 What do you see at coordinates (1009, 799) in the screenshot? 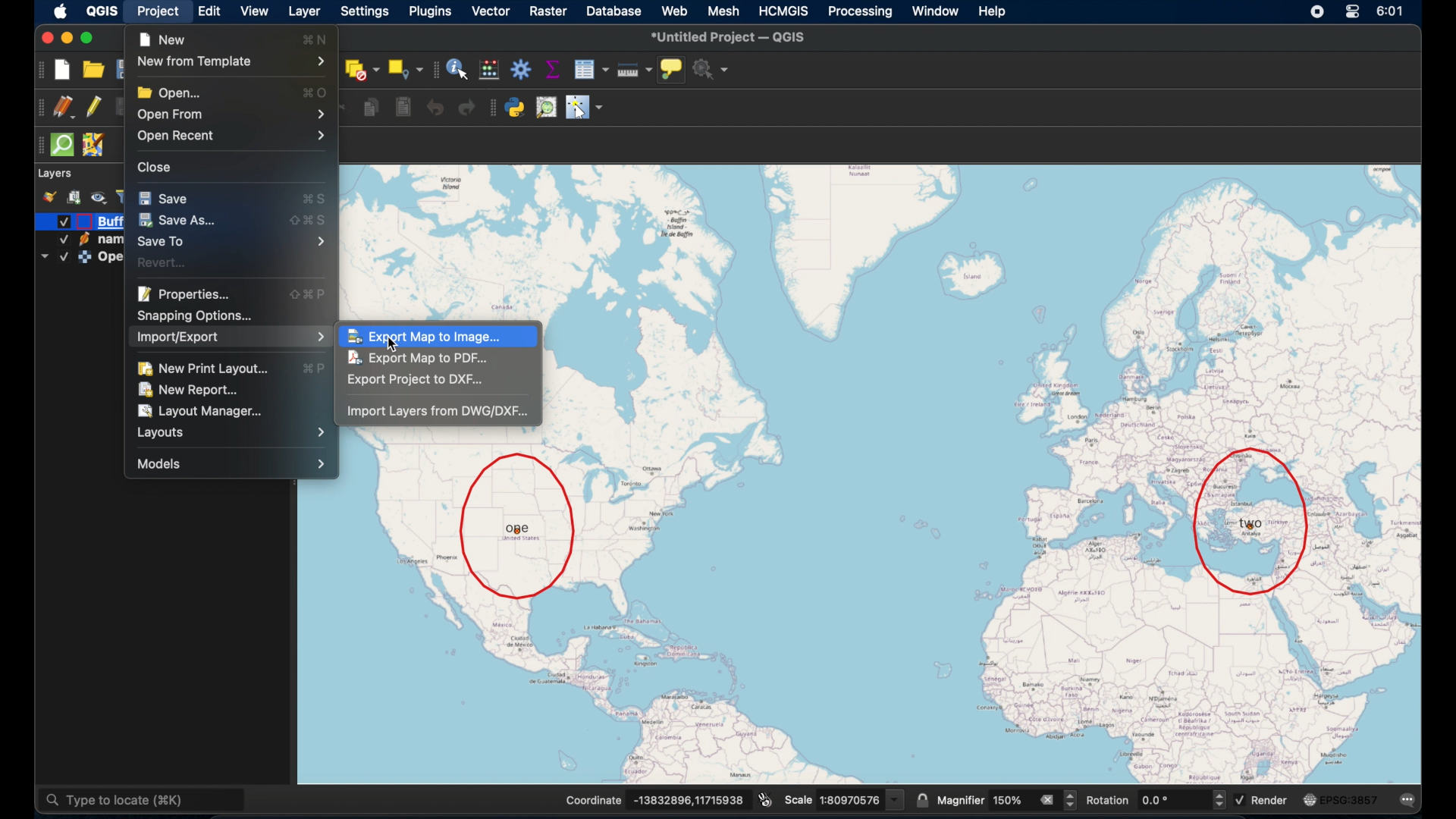
I see `magnifier value` at bounding box center [1009, 799].